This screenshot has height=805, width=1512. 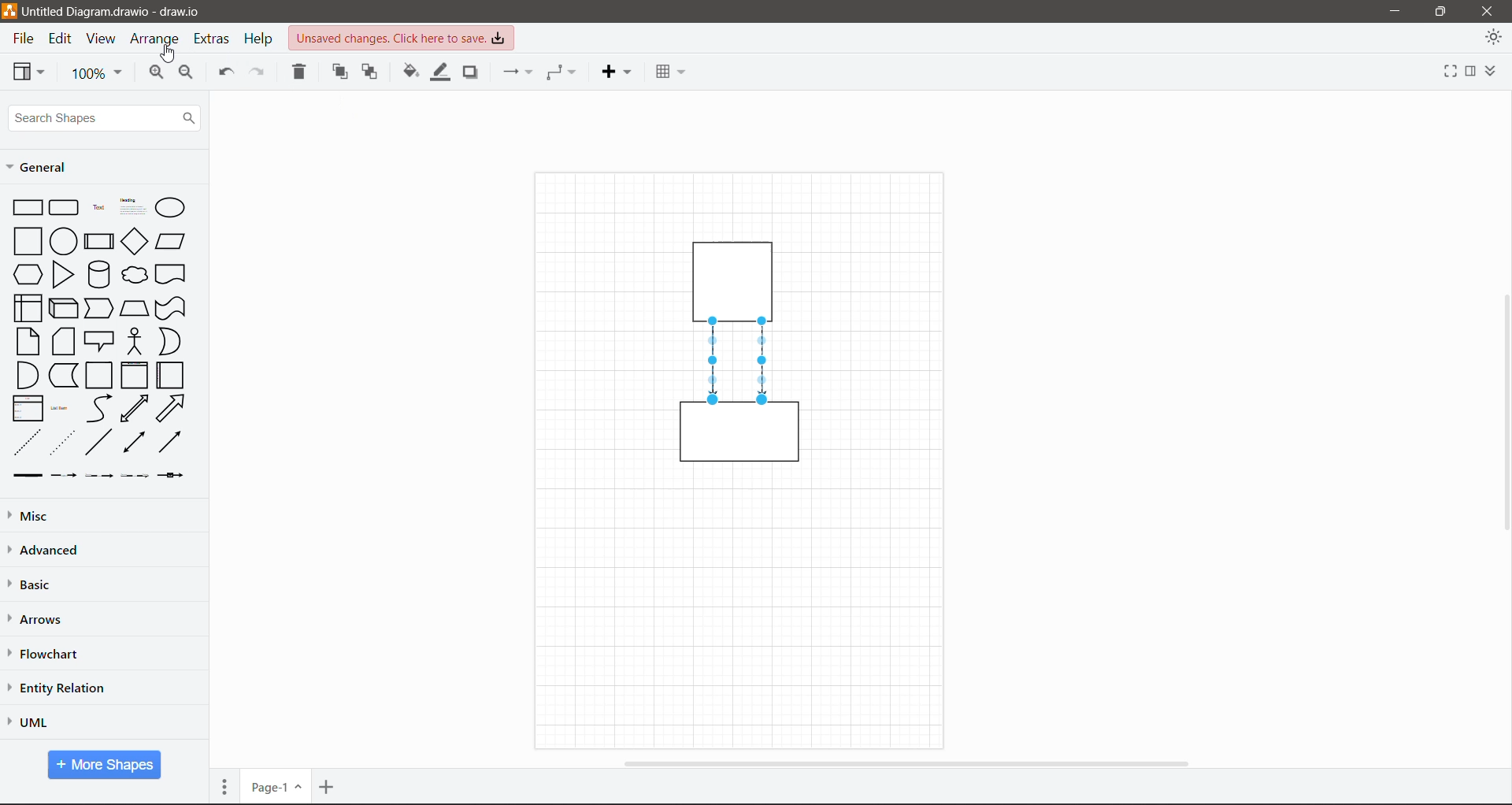 I want to click on Parallelogram, so click(x=171, y=241).